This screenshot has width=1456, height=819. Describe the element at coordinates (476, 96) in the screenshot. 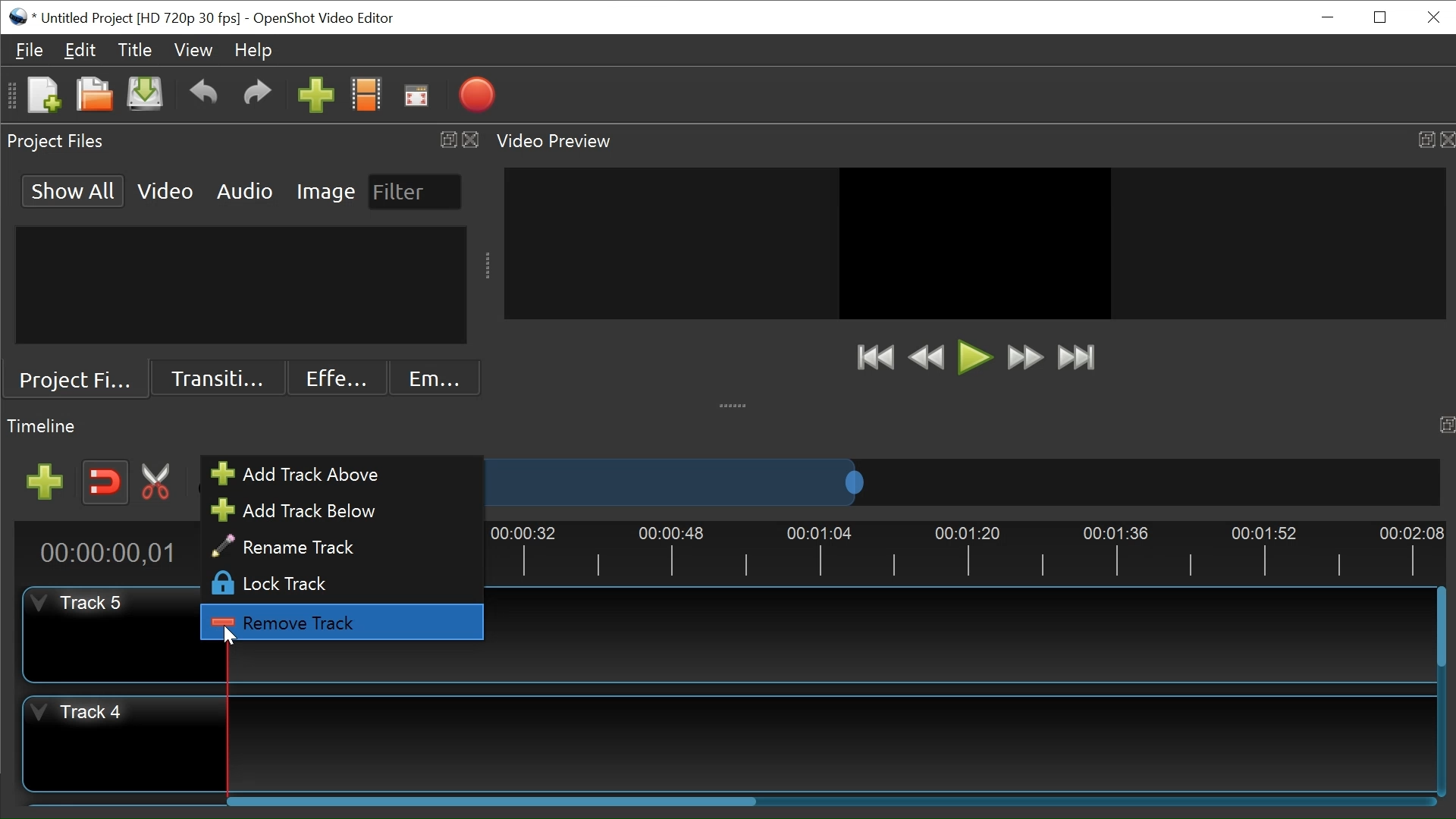

I see `Export Video` at that location.